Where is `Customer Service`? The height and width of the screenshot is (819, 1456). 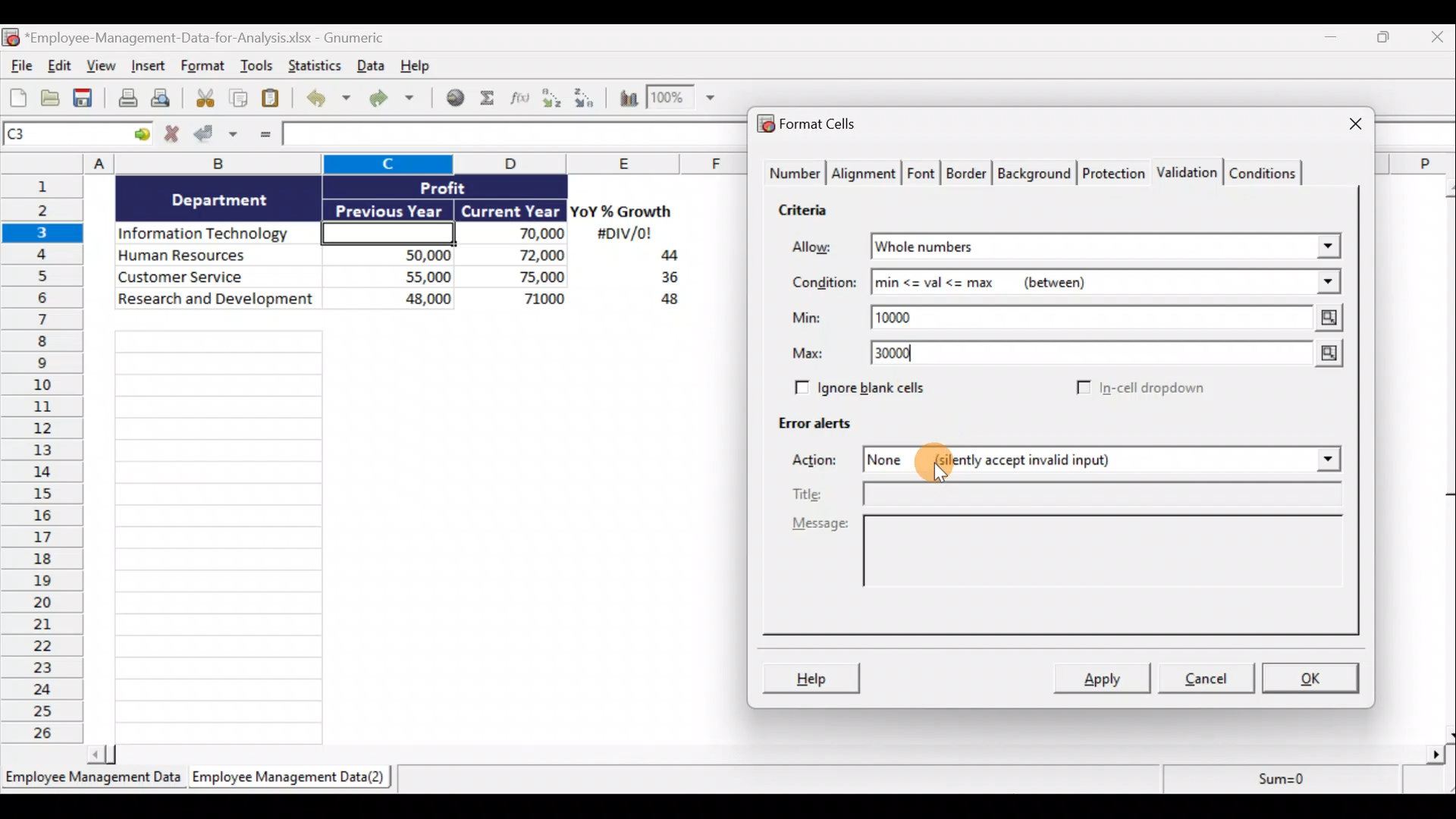
Customer Service is located at coordinates (218, 275).